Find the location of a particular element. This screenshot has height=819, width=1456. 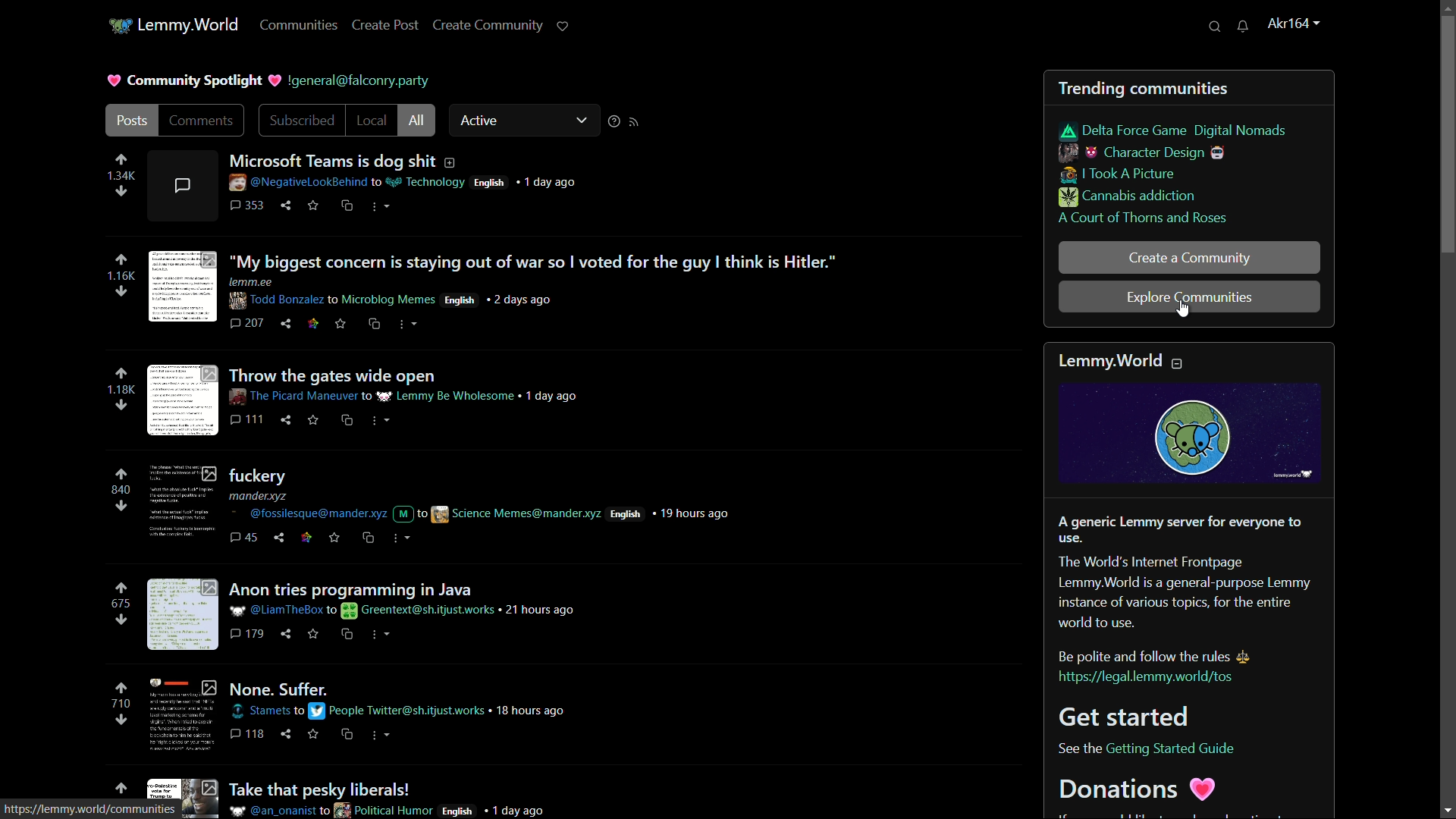

all is located at coordinates (416, 119).